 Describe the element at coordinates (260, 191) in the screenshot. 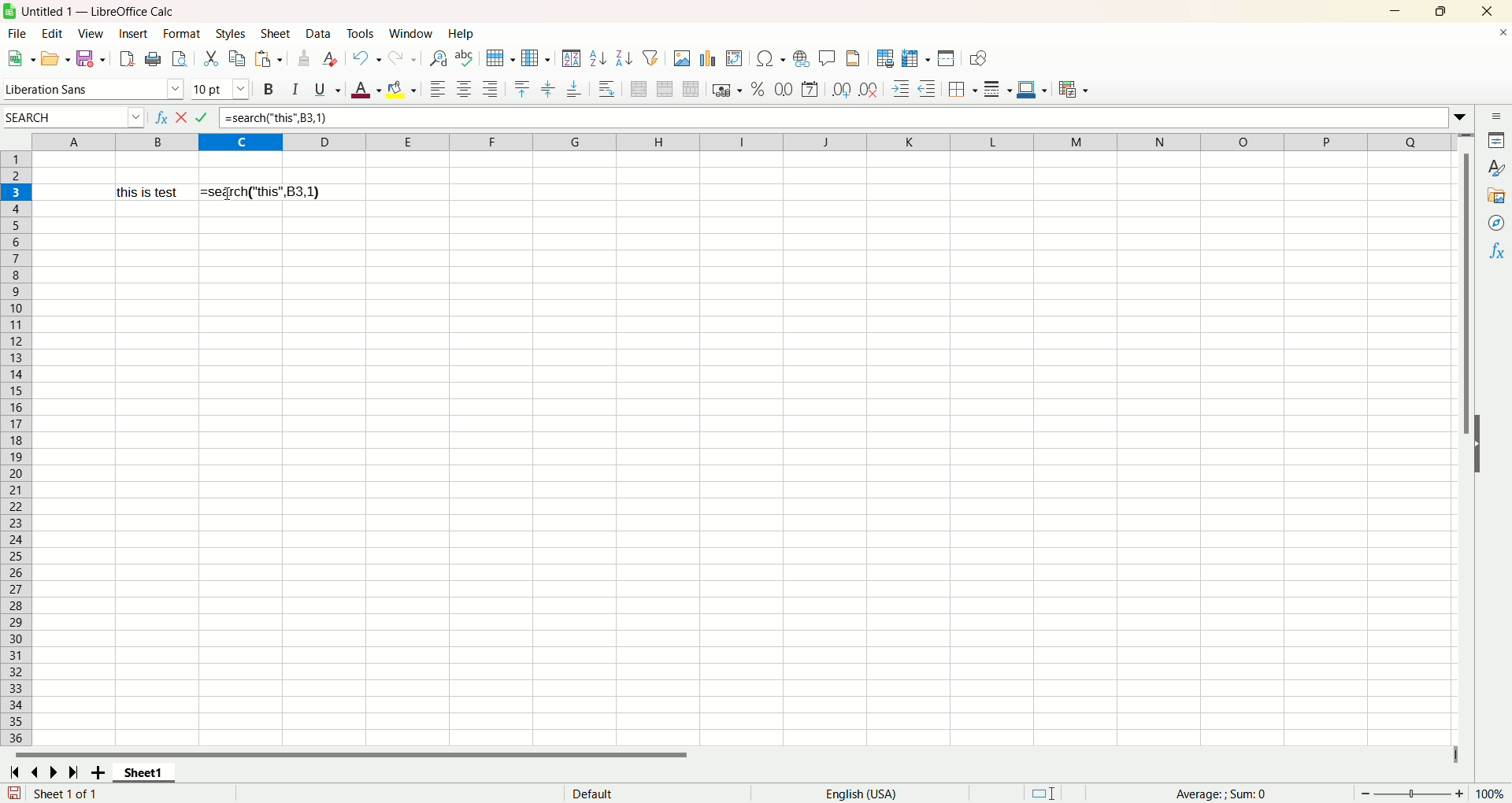

I see `formula input` at that location.